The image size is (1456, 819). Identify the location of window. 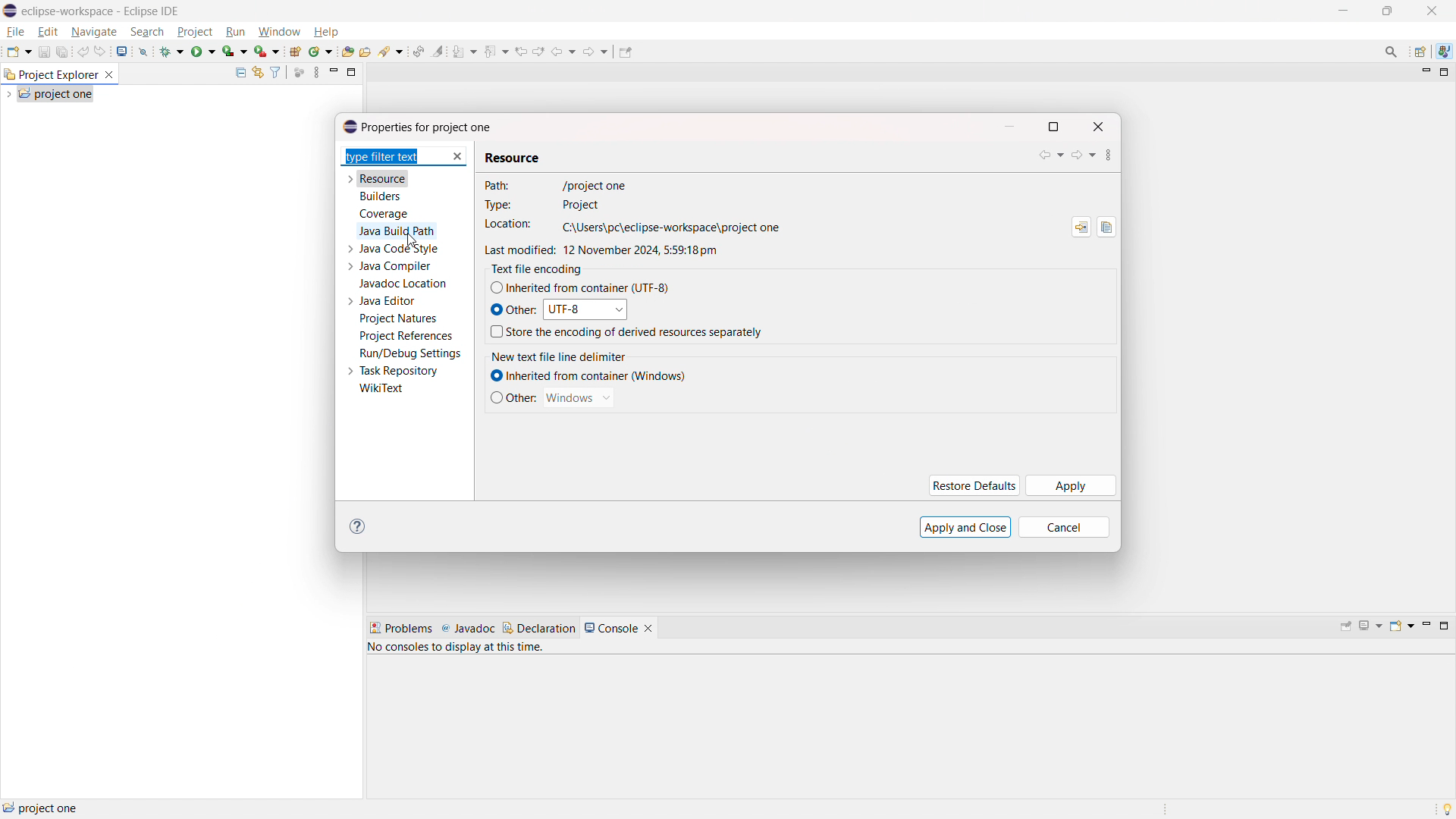
(278, 33).